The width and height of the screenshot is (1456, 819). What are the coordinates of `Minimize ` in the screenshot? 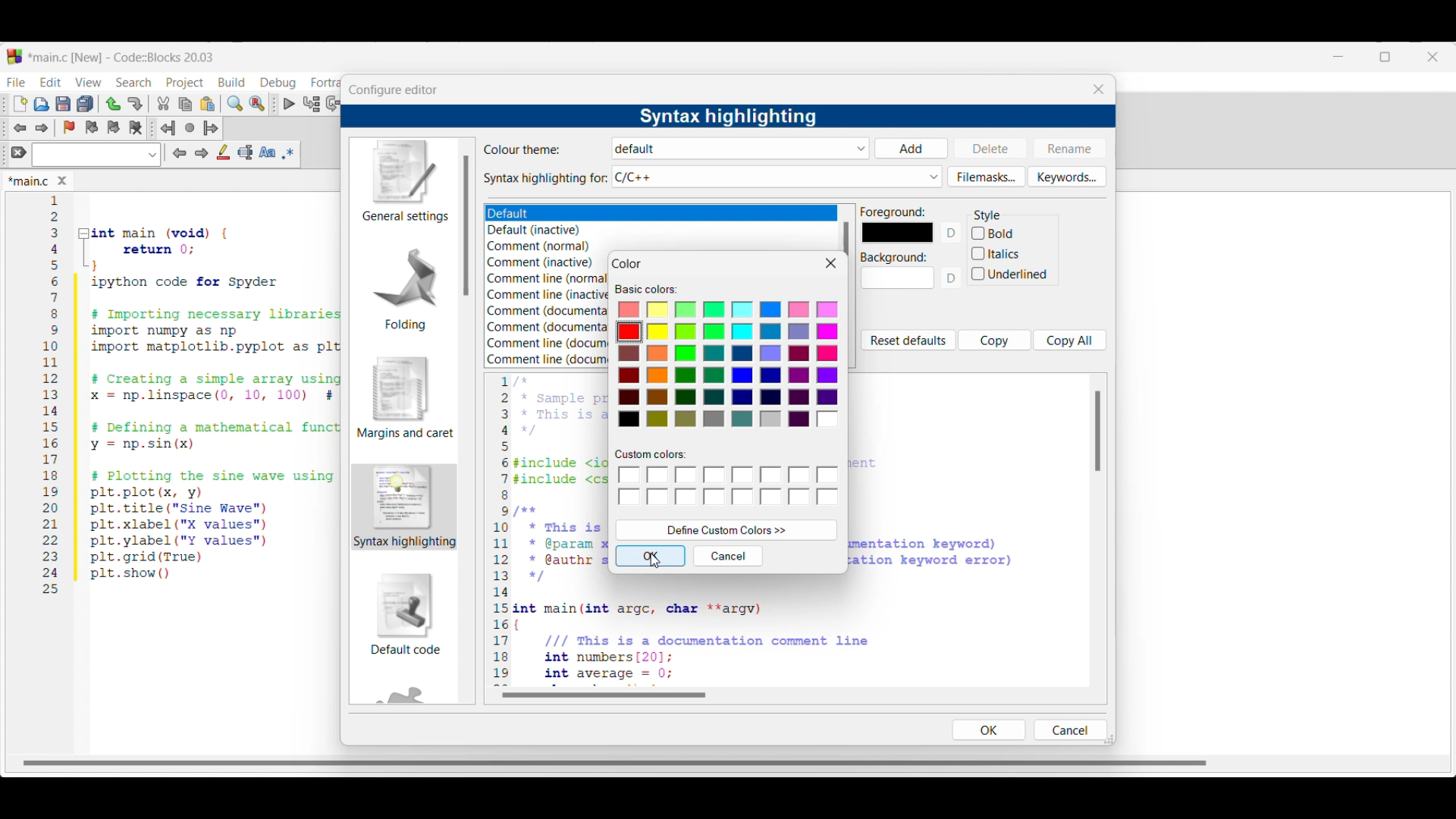 It's located at (1338, 57).